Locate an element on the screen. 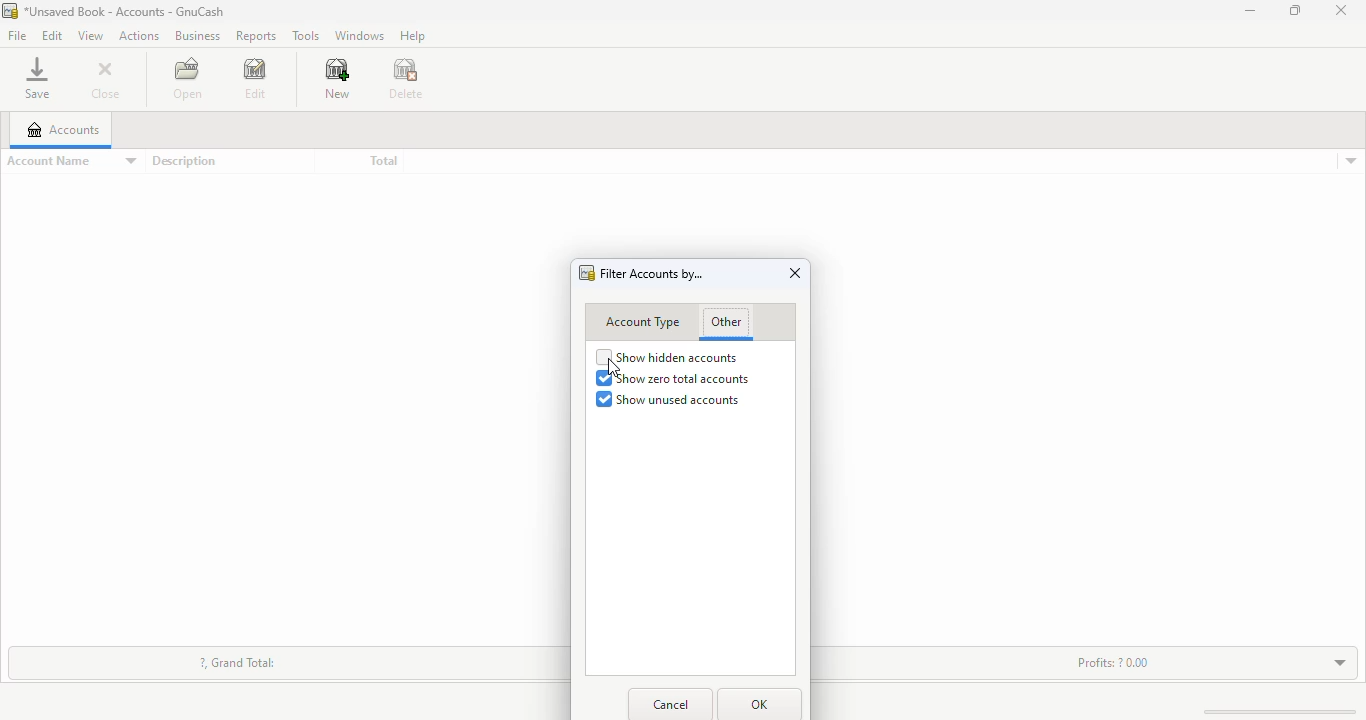 The image size is (1366, 720). view is located at coordinates (90, 35).